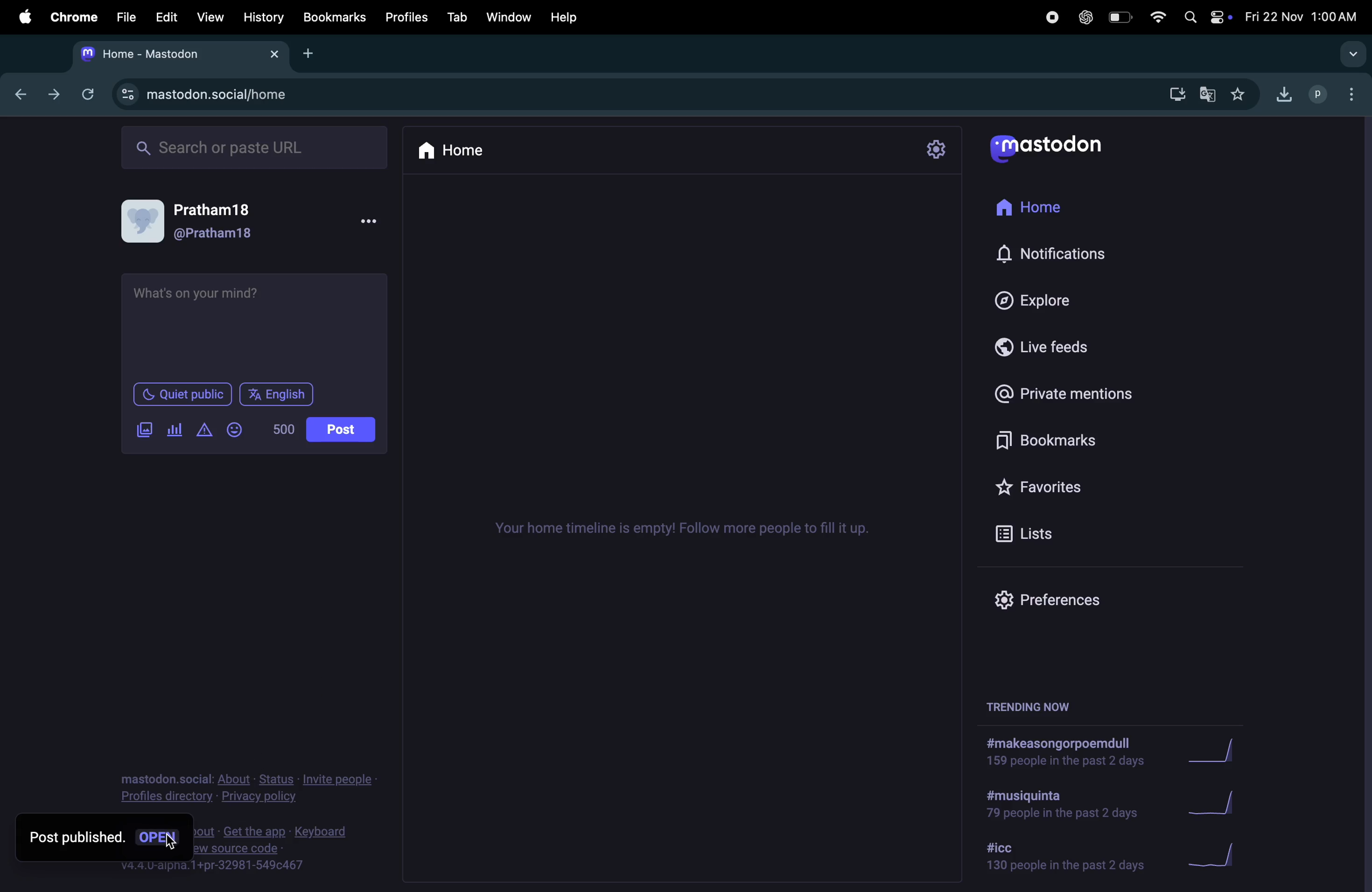 Image resolution: width=1372 pixels, height=892 pixels. What do you see at coordinates (210, 17) in the screenshot?
I see `view` at bounding box center [210, 17].